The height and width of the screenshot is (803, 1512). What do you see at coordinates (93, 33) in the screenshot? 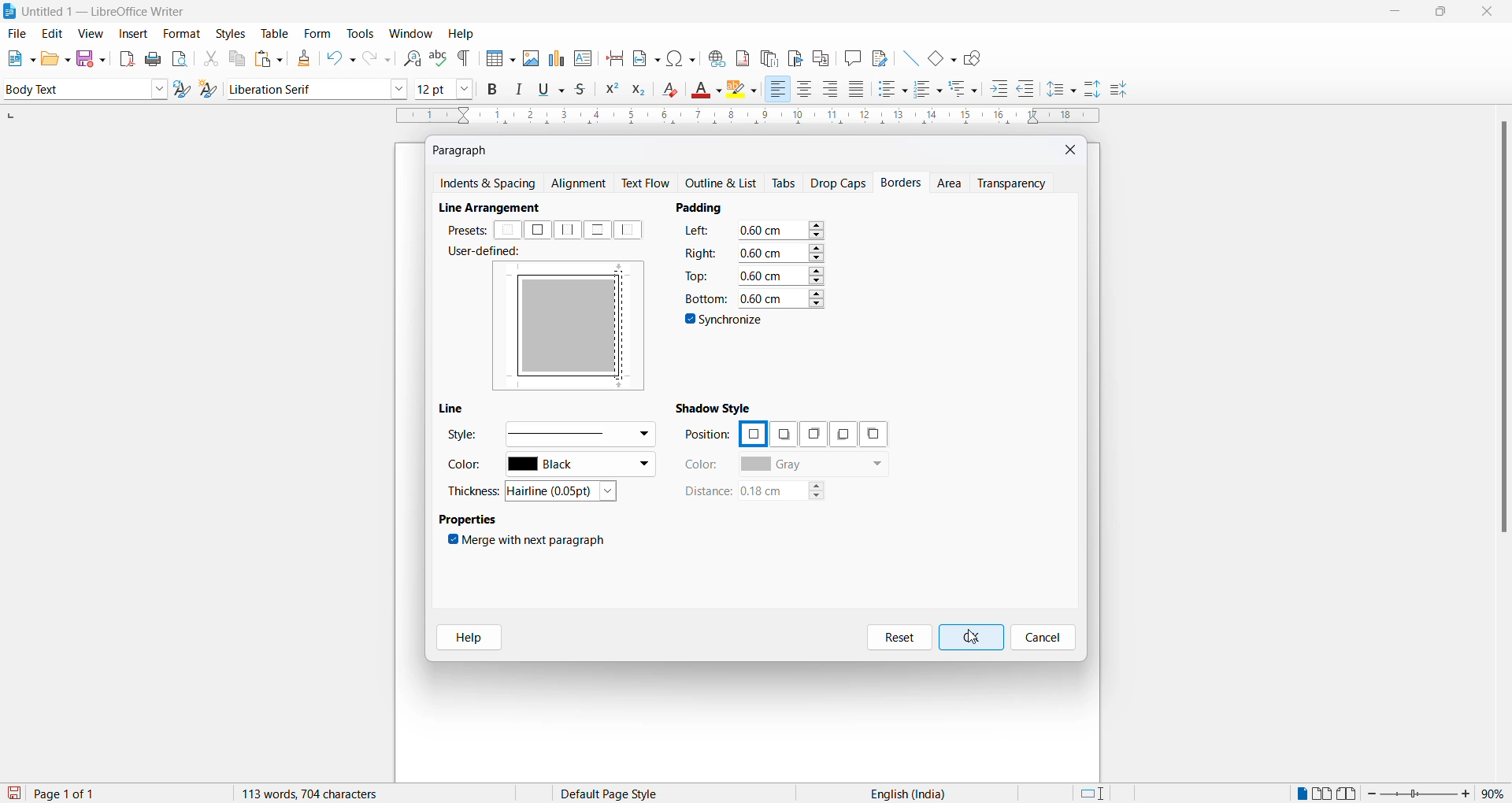
I see `view` at bounding box center [93, 33].